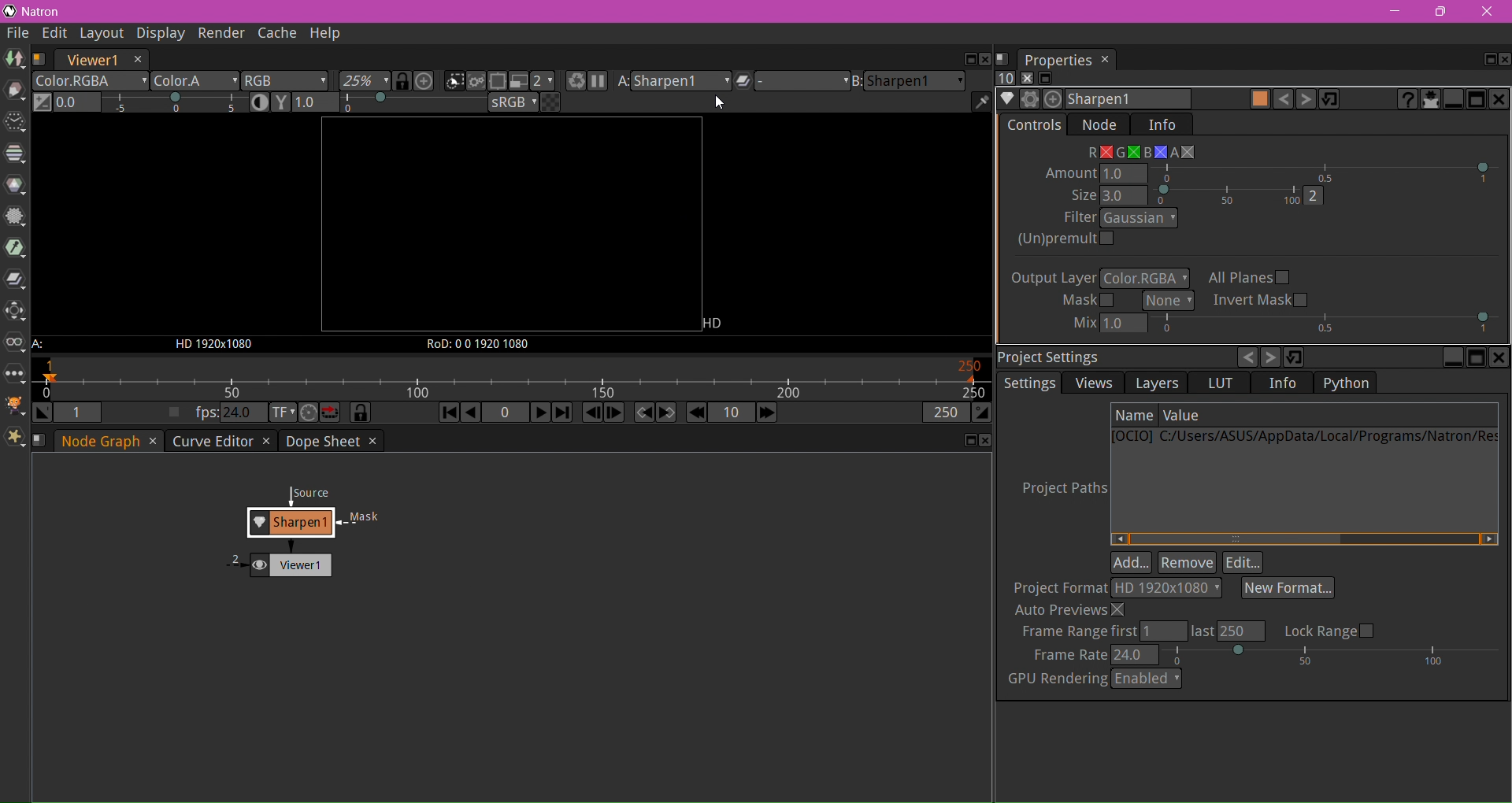 This screenshot has width=1512, height=803. Describe the element at coordinates (1154, 151) in the screenshot. I see `NatronOfxParamProcessB` at that location.